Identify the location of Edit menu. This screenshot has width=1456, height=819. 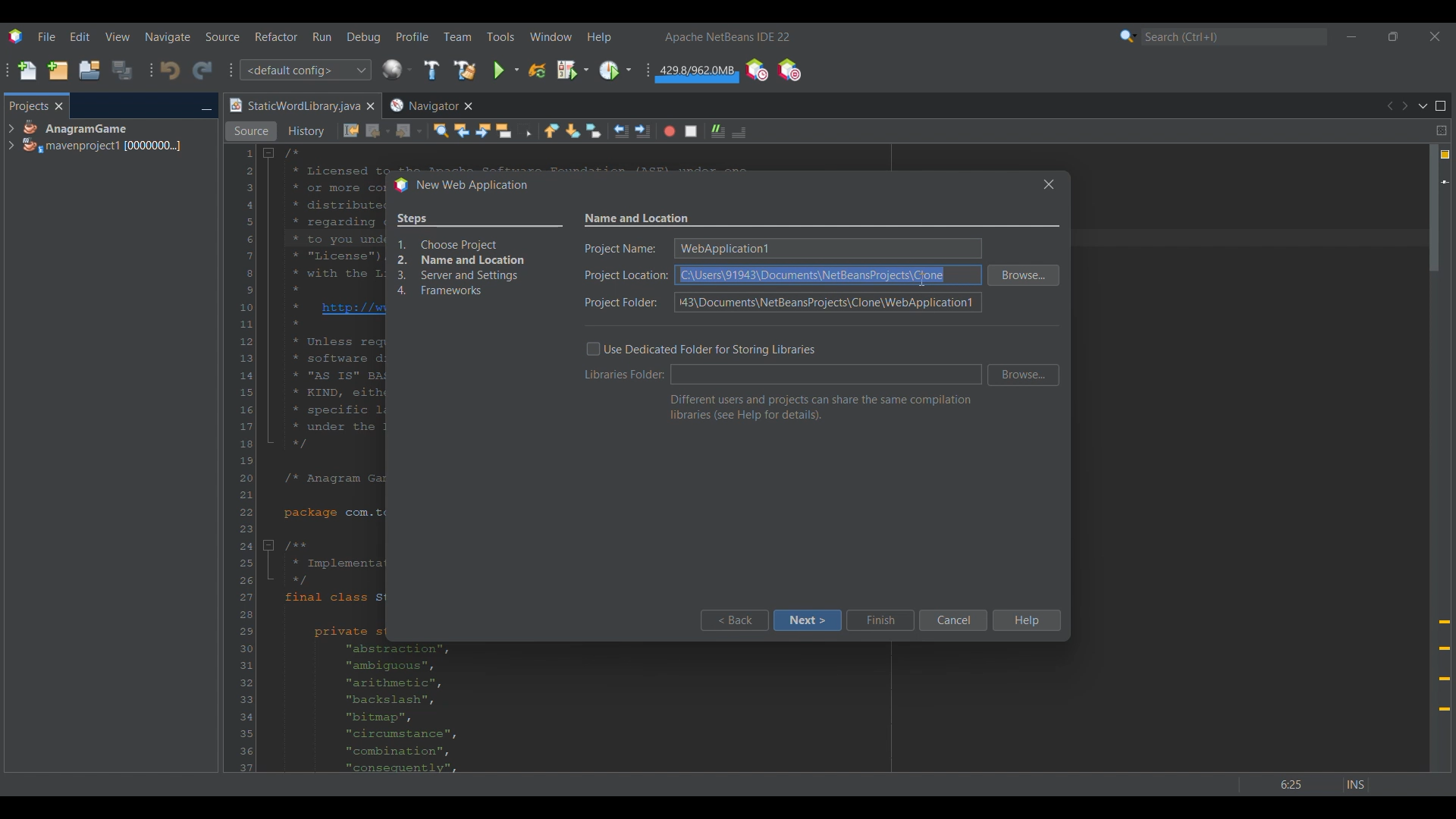
(80, 37).